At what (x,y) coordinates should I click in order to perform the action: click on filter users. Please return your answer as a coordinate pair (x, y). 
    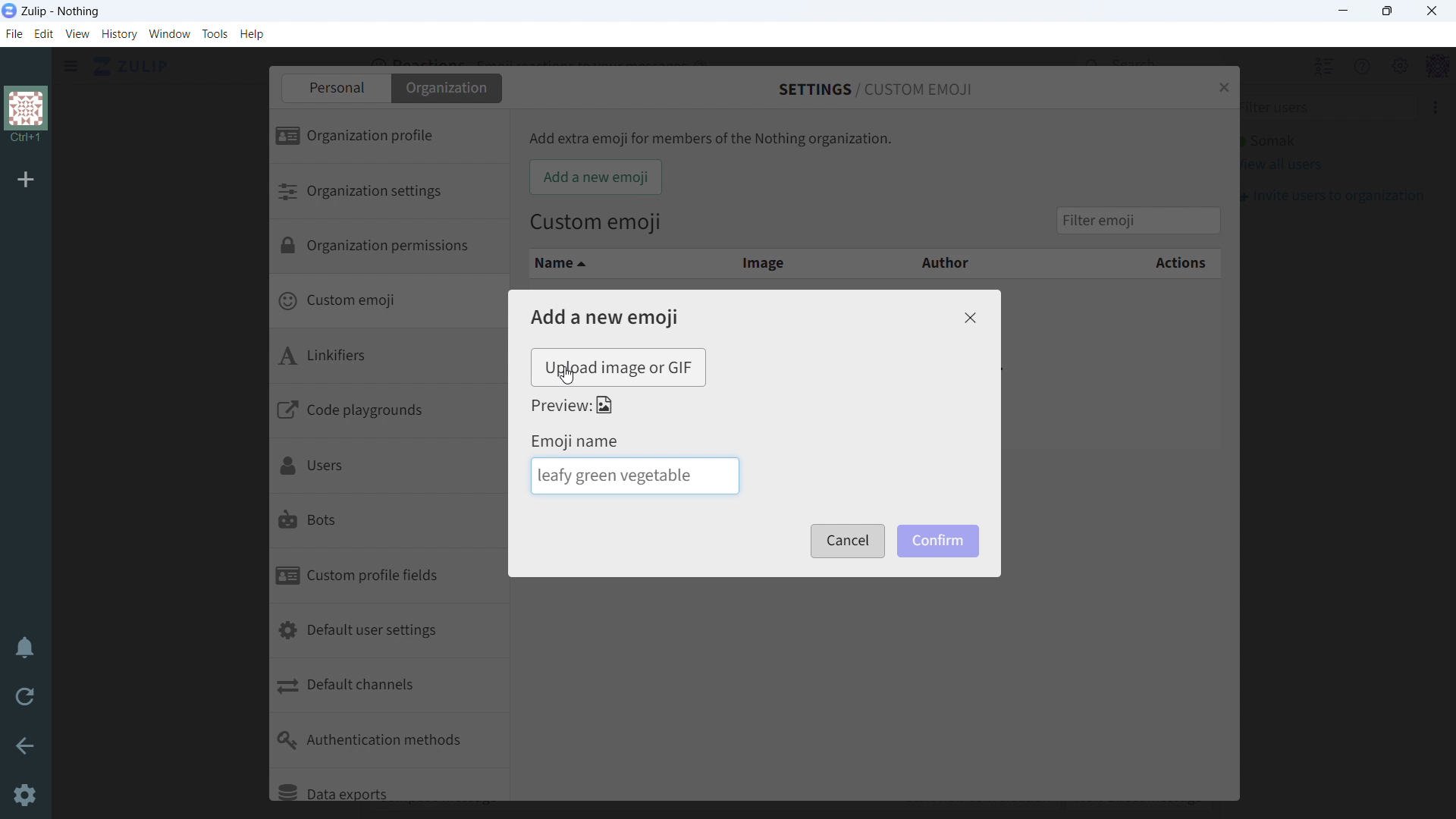
    Looking at the image, I should click on (1323, 108).